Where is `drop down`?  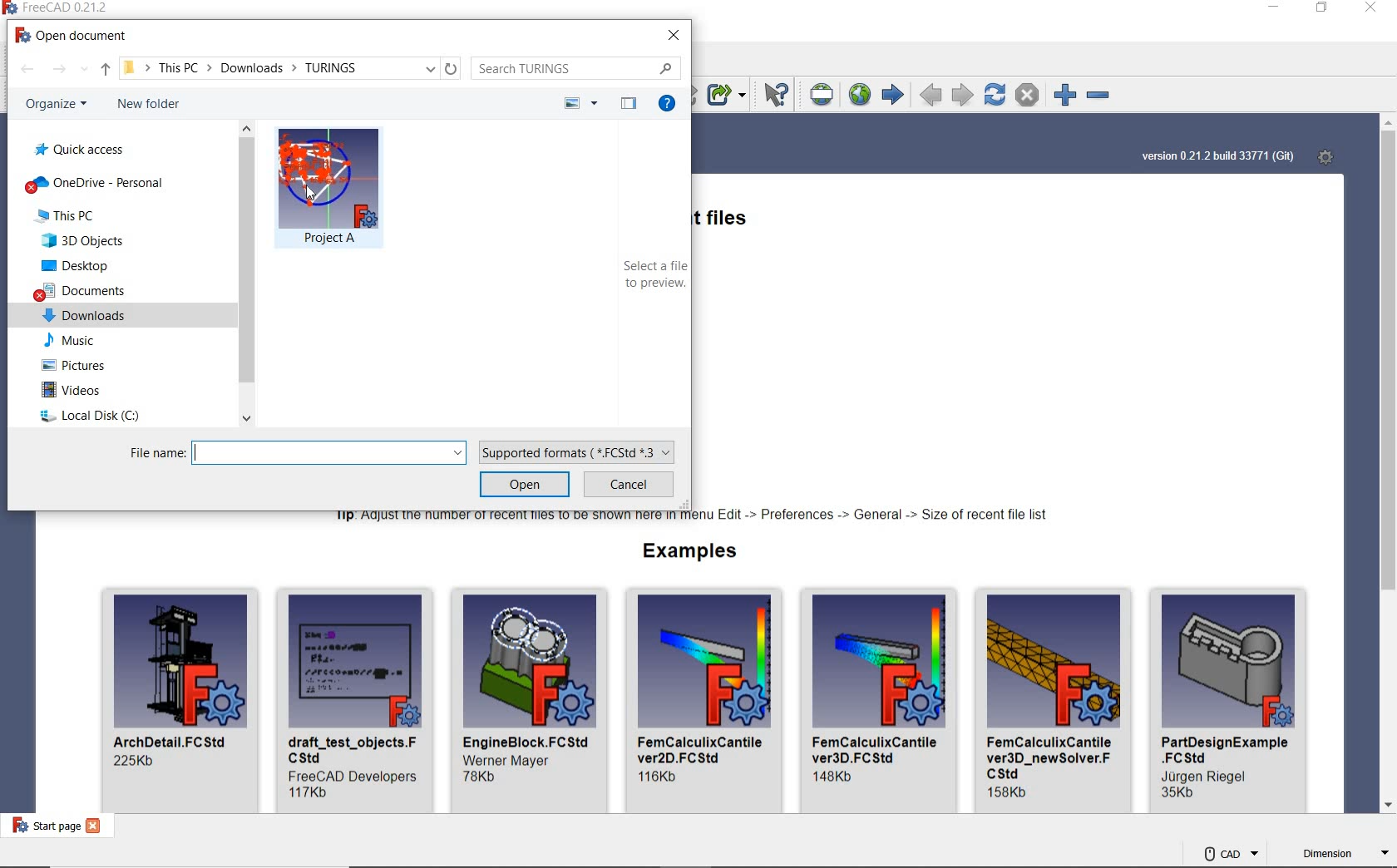
drop down is located at coordinates (430, 68).